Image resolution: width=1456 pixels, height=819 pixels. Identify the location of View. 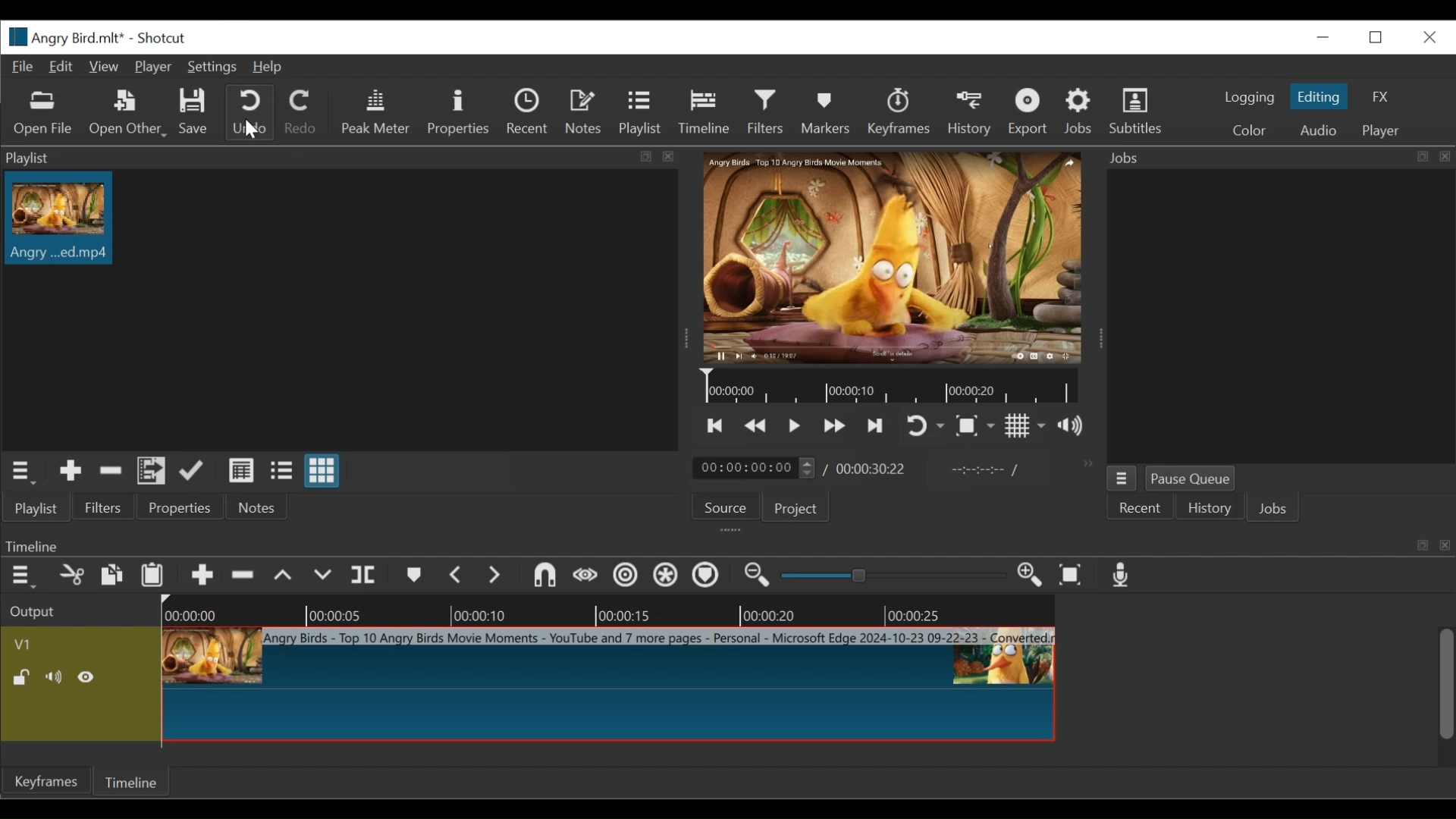
(102, 67).